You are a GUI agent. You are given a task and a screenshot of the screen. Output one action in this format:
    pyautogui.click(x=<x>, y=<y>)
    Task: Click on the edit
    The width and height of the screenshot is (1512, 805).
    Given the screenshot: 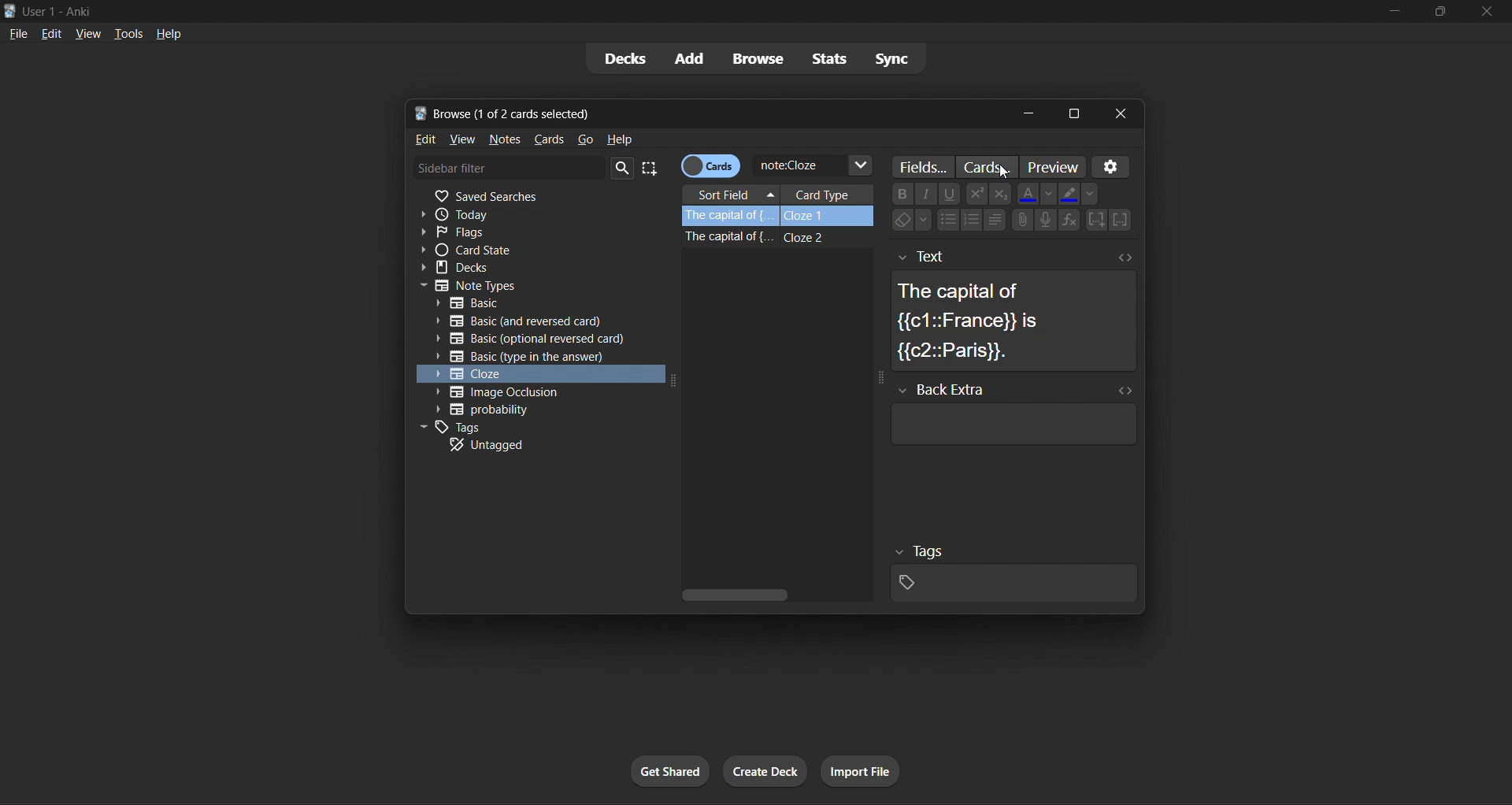 What is the action you would take?
    pyautogui.click(x=51, y=33)
    